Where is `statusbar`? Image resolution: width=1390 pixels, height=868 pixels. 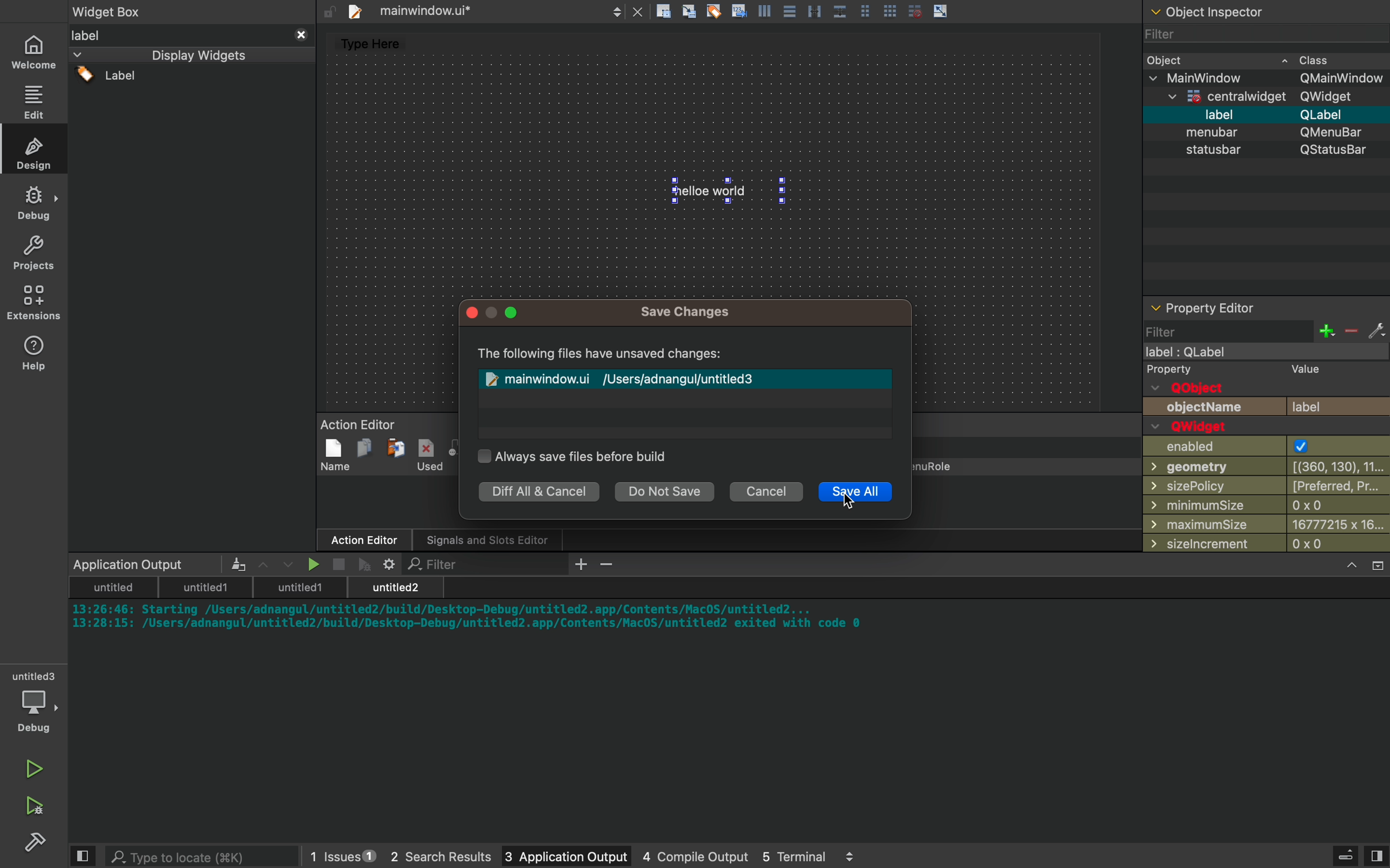 statusbar is located at coordinates (1264, 153).